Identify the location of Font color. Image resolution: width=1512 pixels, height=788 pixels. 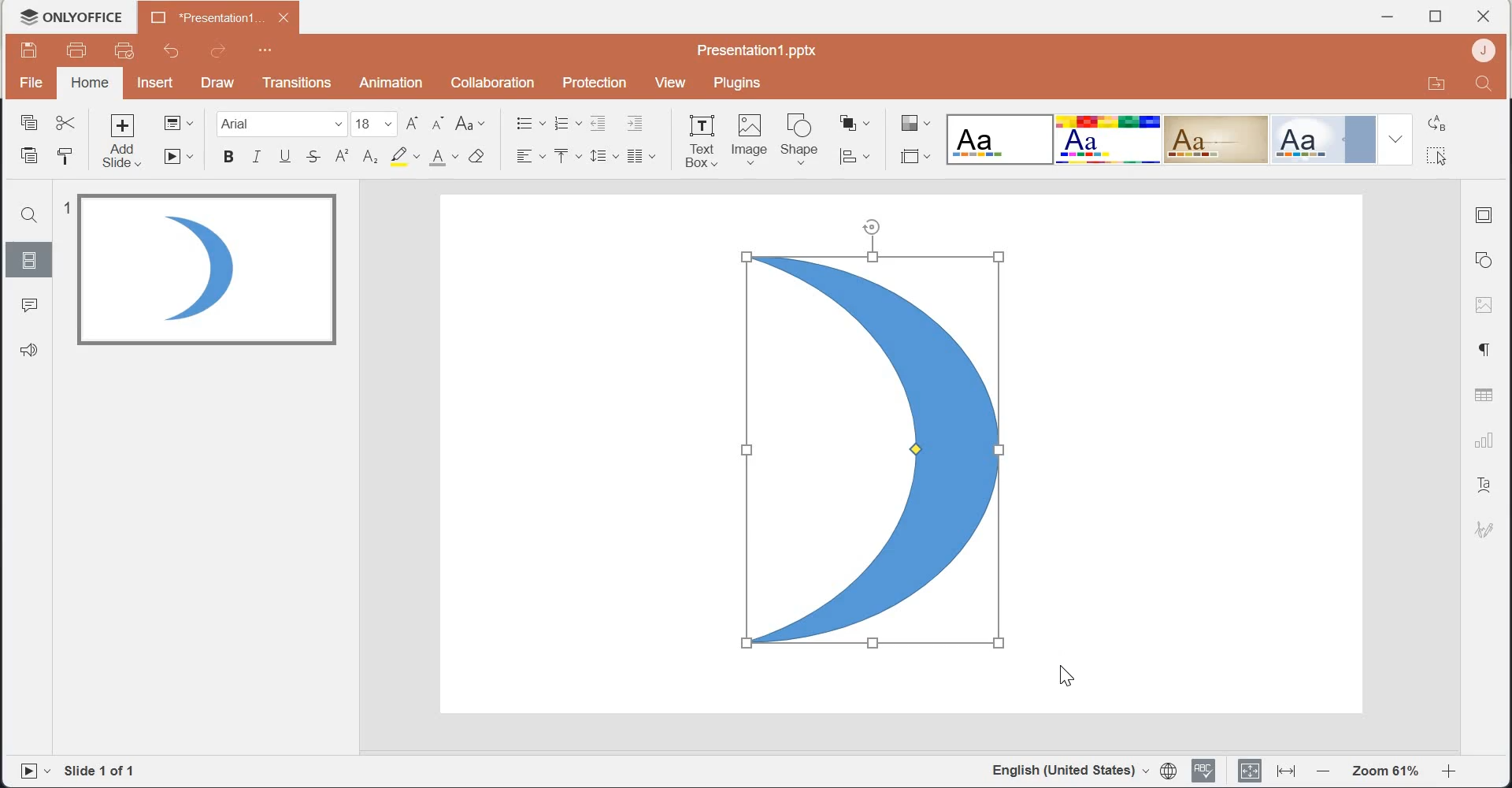
(444, 156).